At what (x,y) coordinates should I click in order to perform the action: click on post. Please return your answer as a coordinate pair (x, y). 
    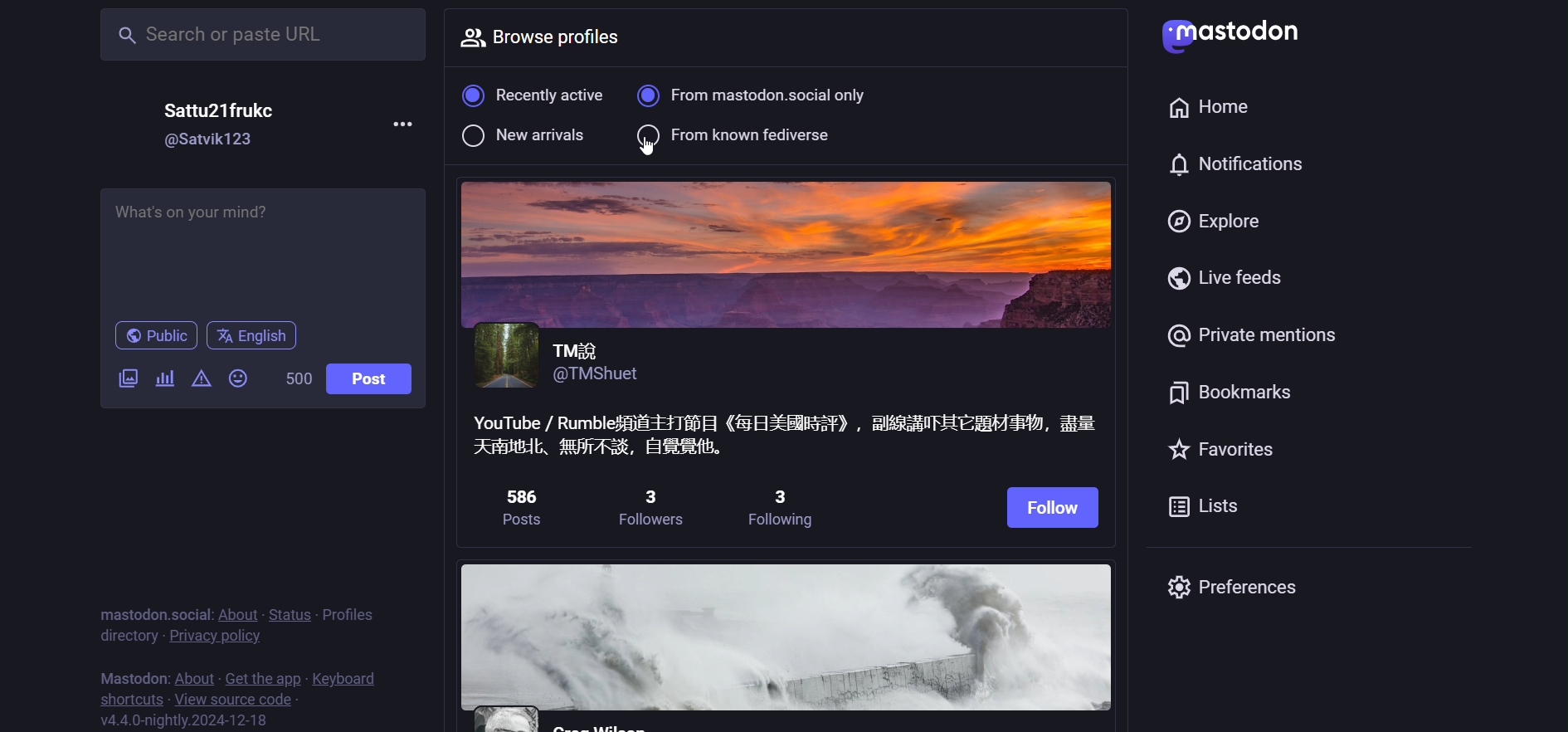
    Looking at the image, I should click on (369, 373).